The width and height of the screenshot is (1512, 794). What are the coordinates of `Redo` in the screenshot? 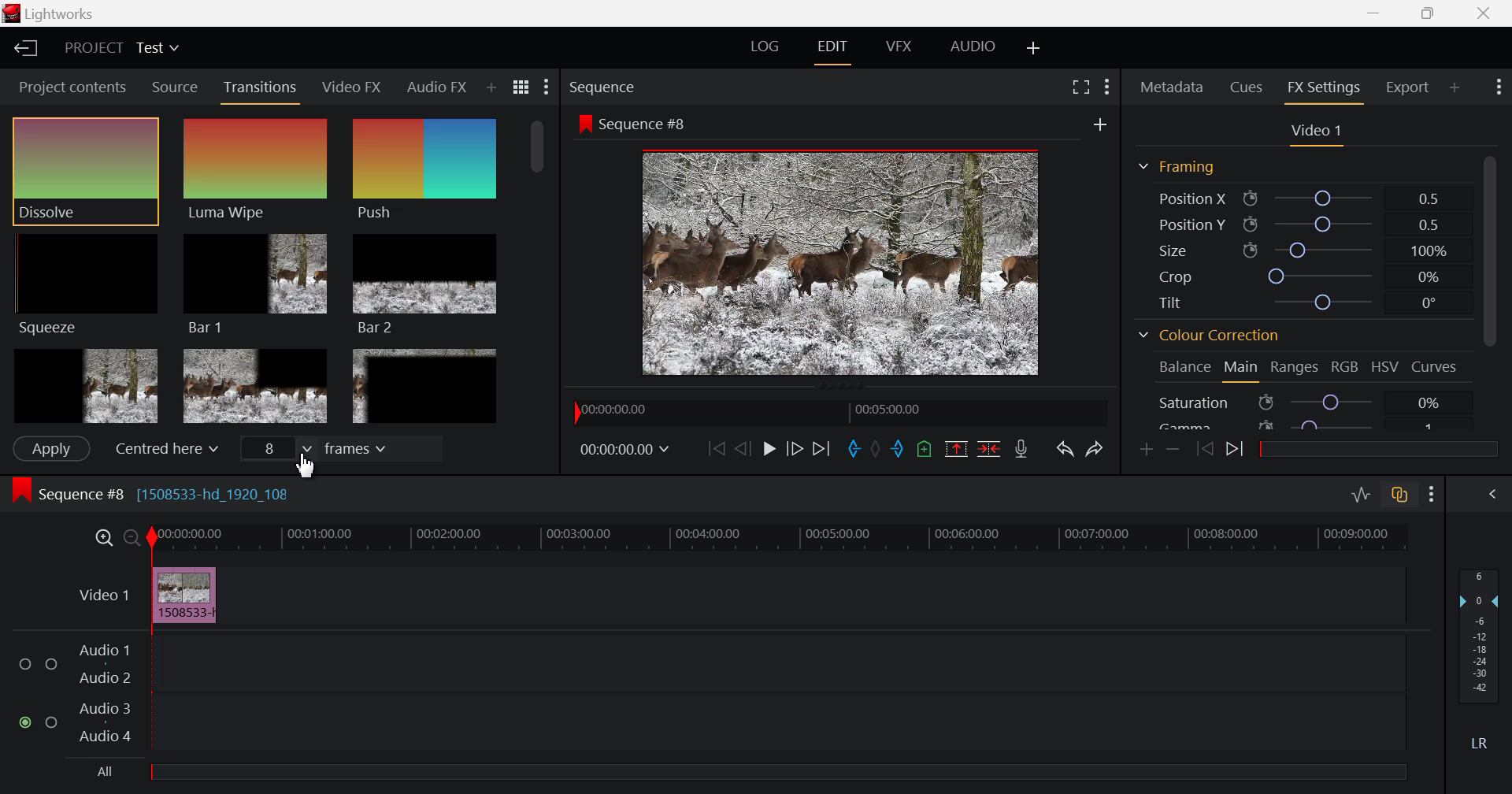 It's located at (1095, 448).